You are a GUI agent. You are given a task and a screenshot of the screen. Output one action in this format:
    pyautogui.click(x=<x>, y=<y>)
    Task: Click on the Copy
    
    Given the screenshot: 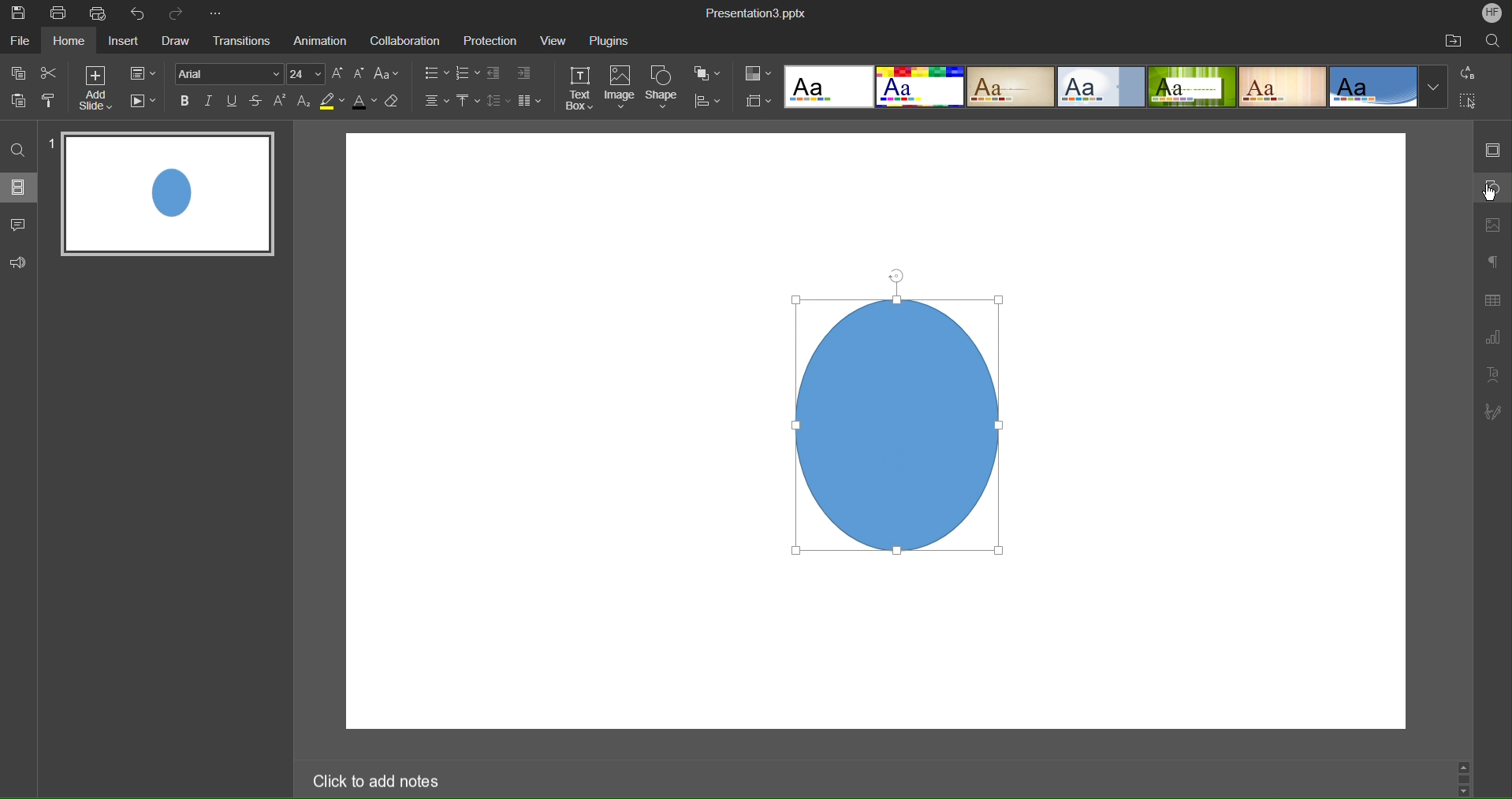 What is the action you would take?
    pyautogui.click(x=19, y=72)
    